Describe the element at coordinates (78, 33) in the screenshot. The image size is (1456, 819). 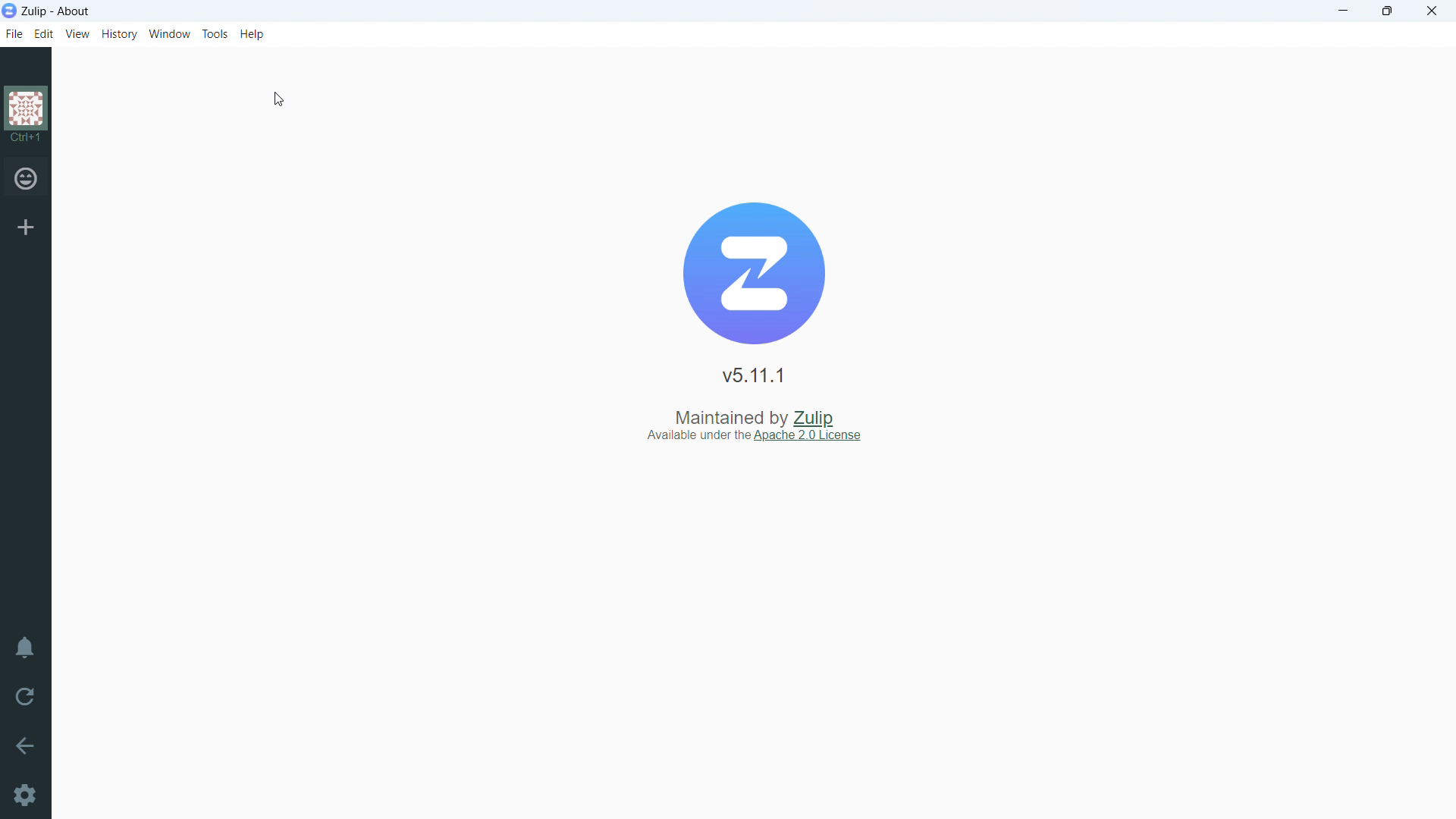
I see `view` at that location.